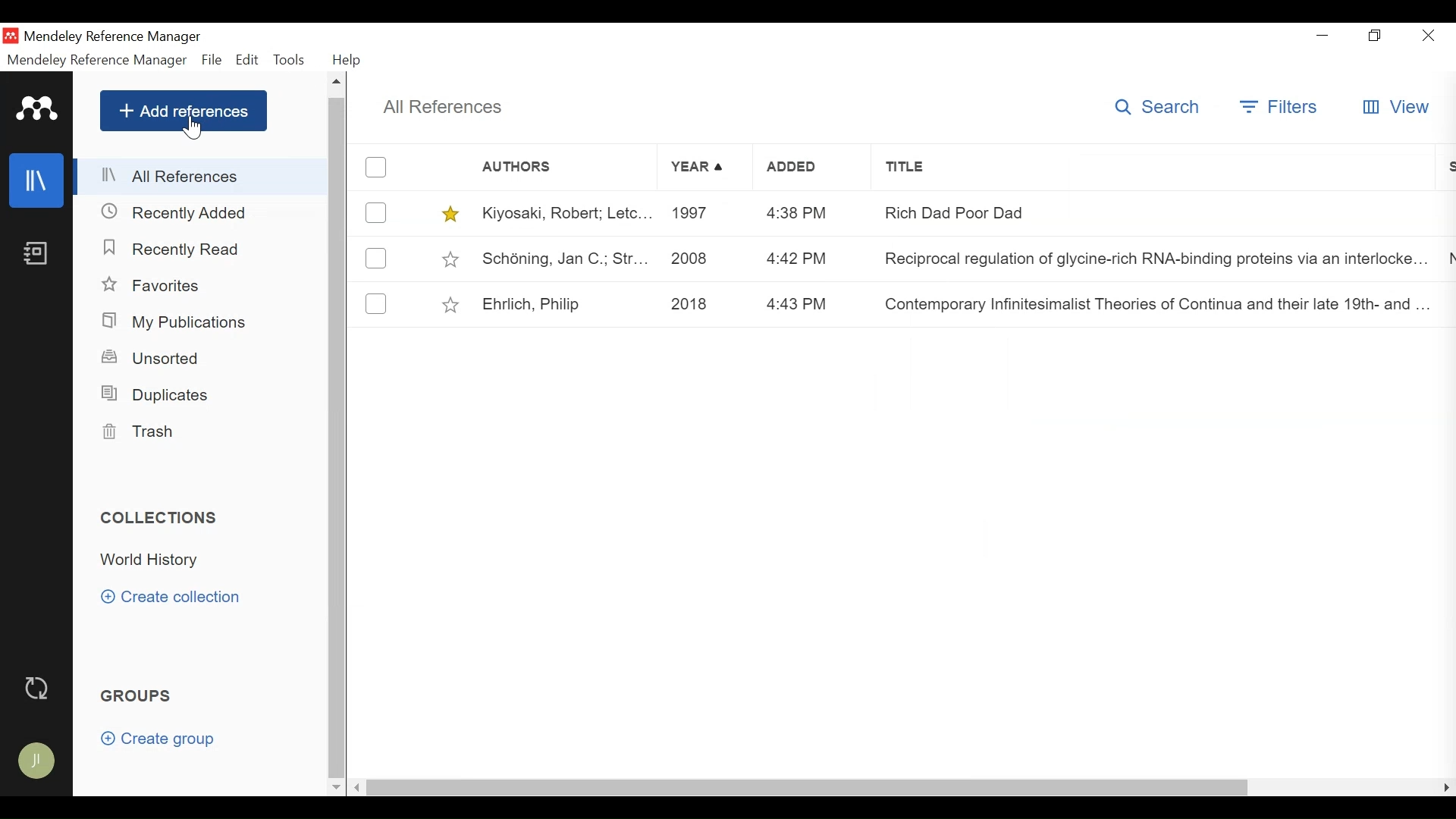  What do you see at coordinates (248, 59) in the screenshot?
I see `Edit` at bounding box center [248, 59].